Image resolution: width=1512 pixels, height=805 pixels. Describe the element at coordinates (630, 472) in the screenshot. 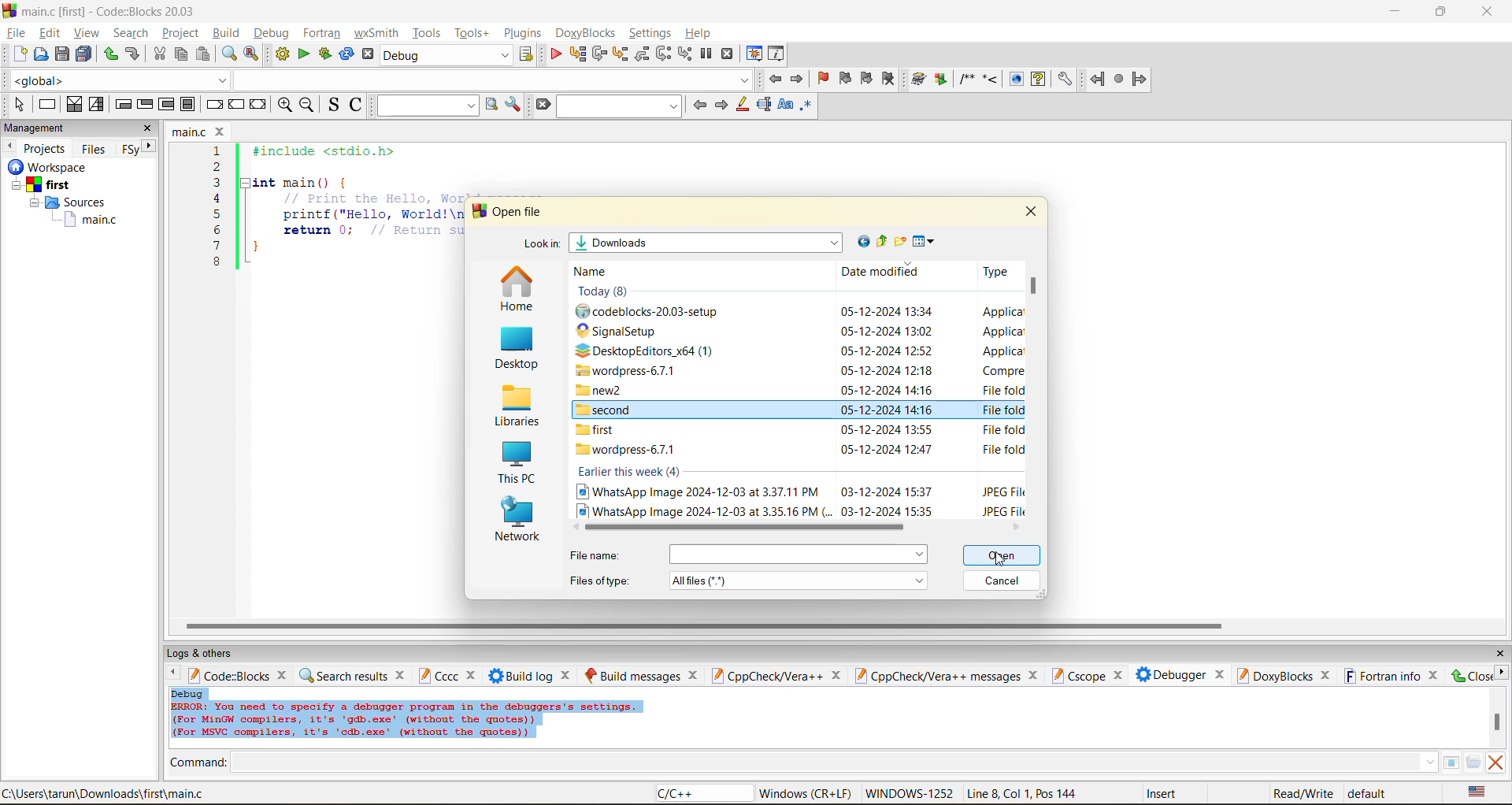

I see `earlier this week` at that location.